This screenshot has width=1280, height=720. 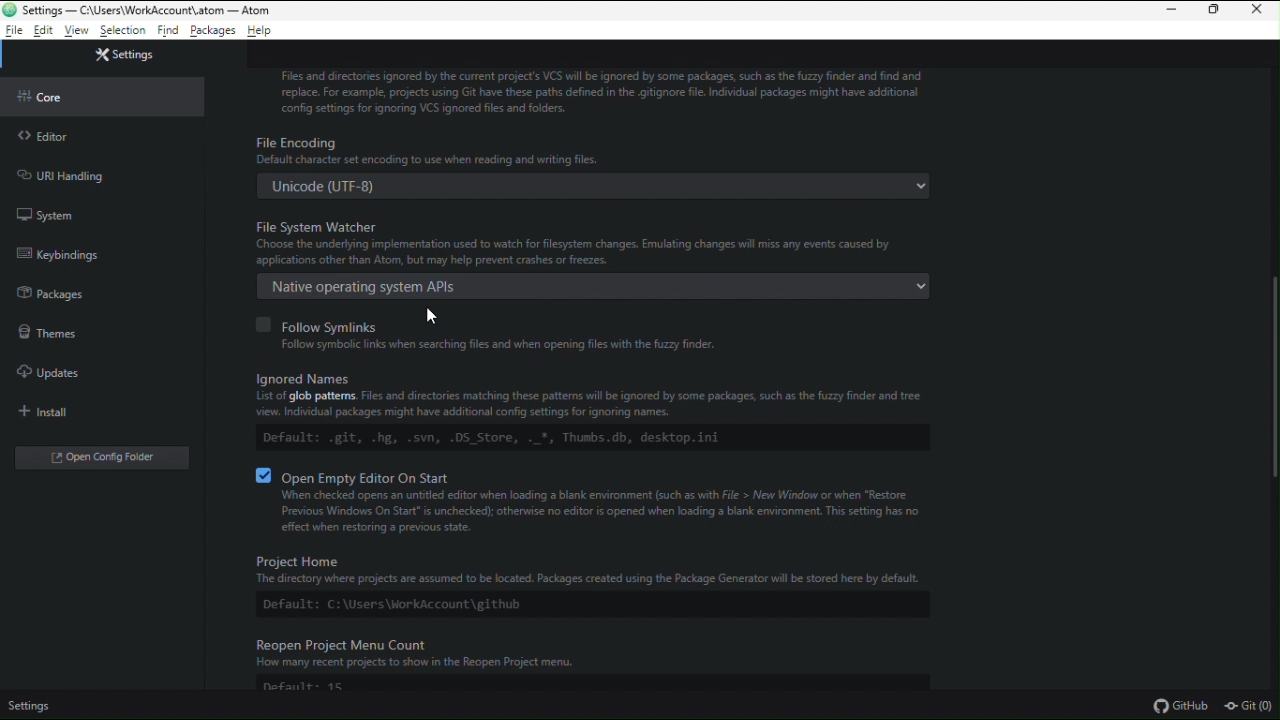 What do you see at coordinates (600, 89) in the screenshot?
I see `Text` at bounding box center [600, 89].